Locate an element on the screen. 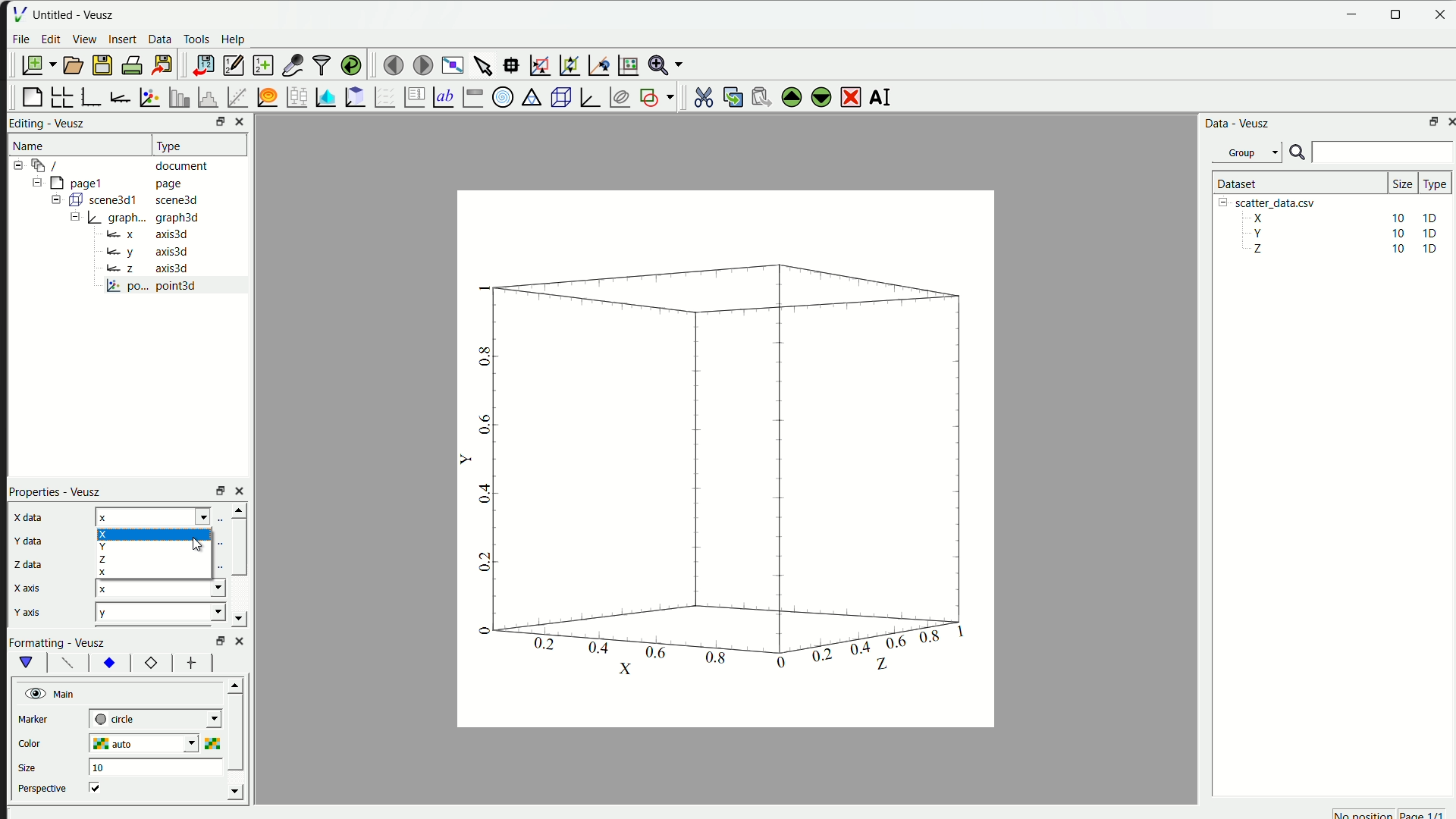 The width and height of the screenshot is (1456, 819). x data is located at coordinates (29, 517).